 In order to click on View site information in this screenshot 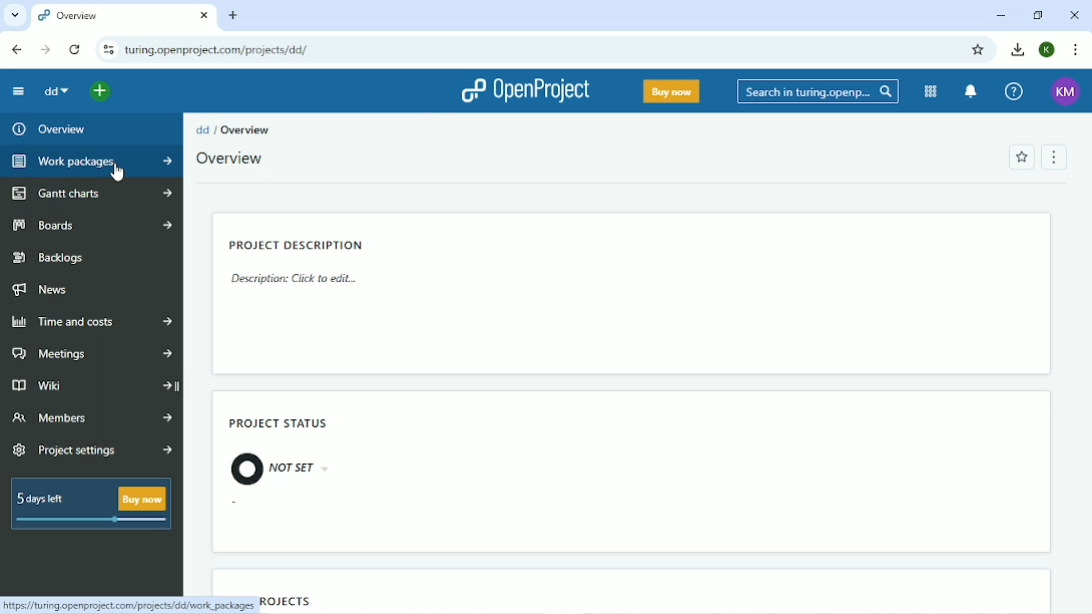, I will do `click(108, 49)`.